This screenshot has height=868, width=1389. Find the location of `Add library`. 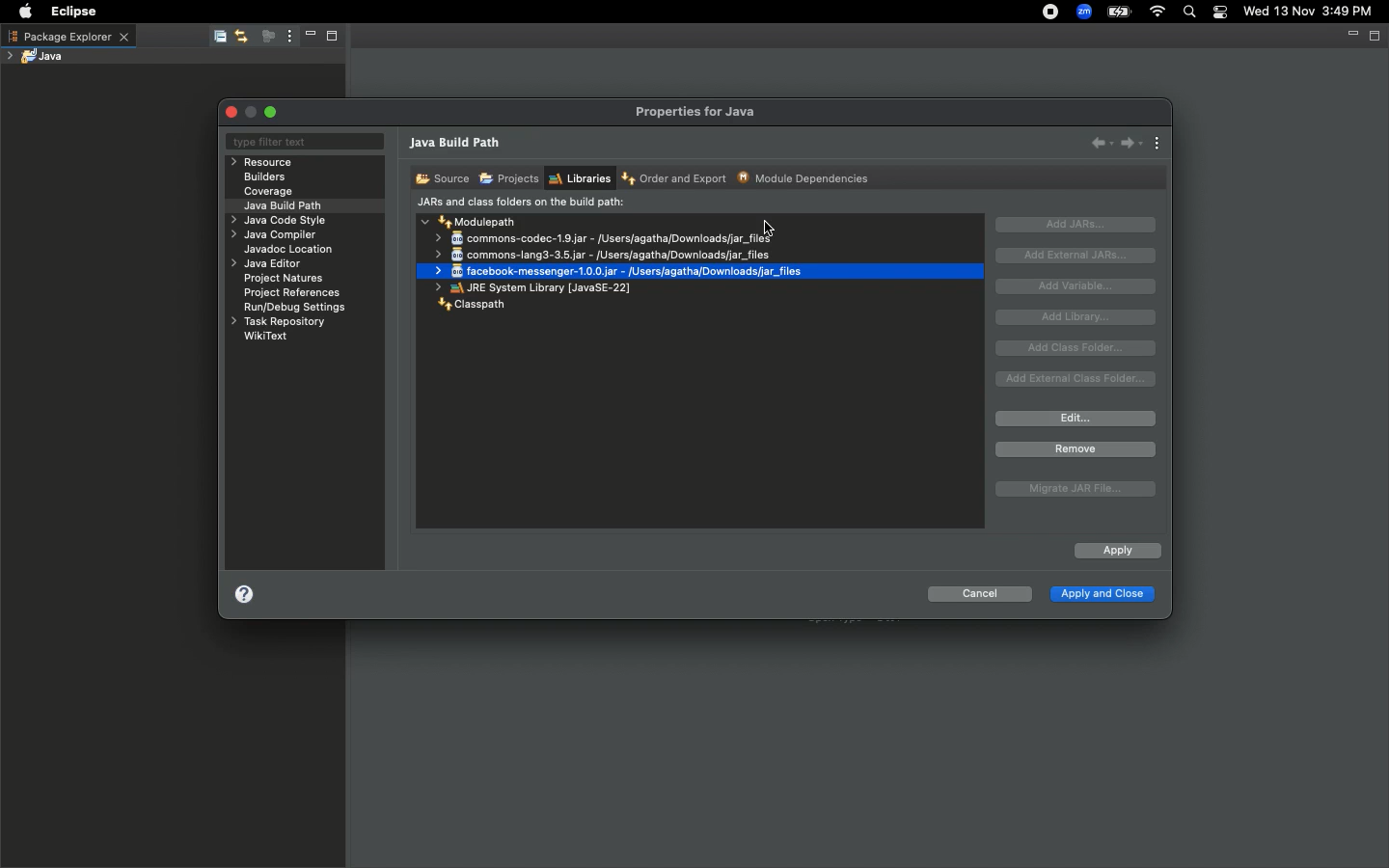

Add library is located at coordinates (1078, 317).